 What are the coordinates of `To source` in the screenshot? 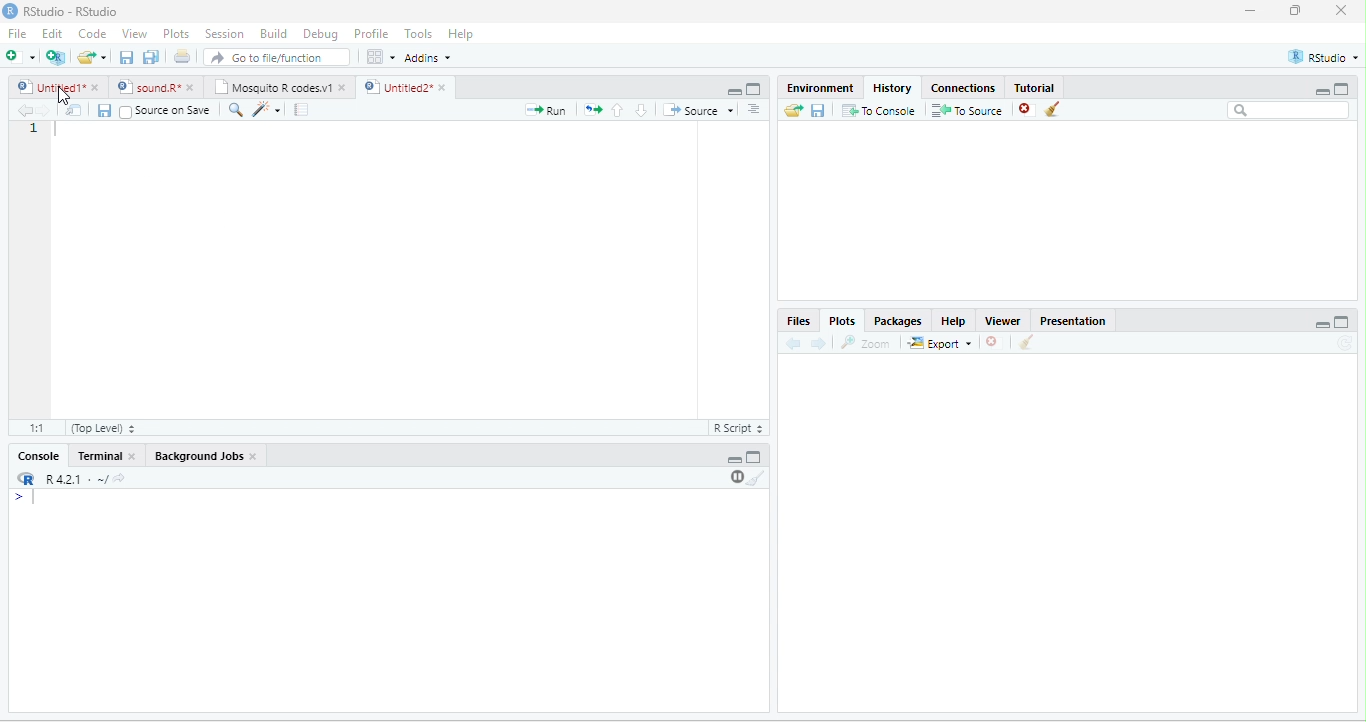 It's located at (965, 111).